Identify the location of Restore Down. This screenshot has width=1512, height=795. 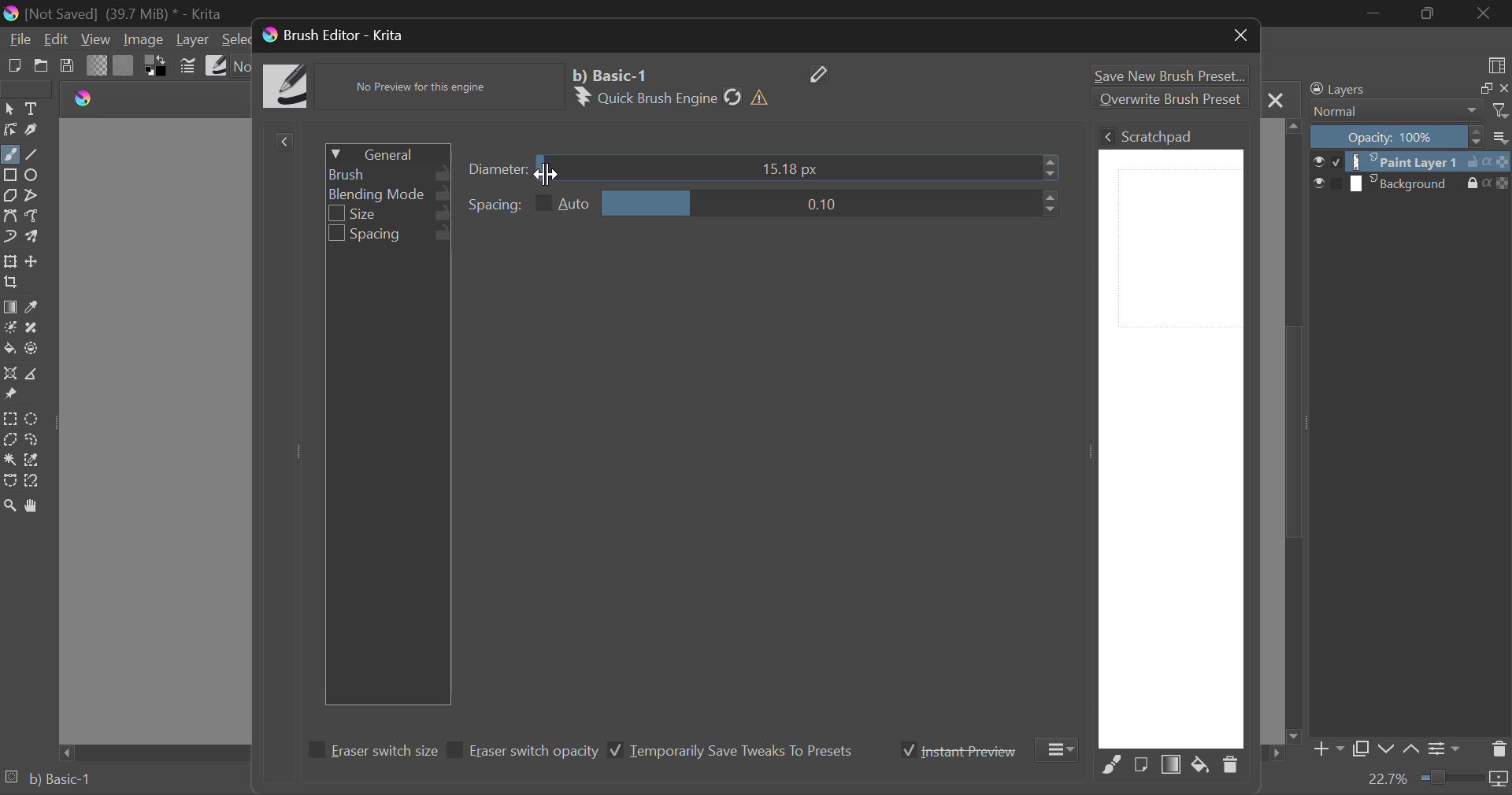
(1374, 15).